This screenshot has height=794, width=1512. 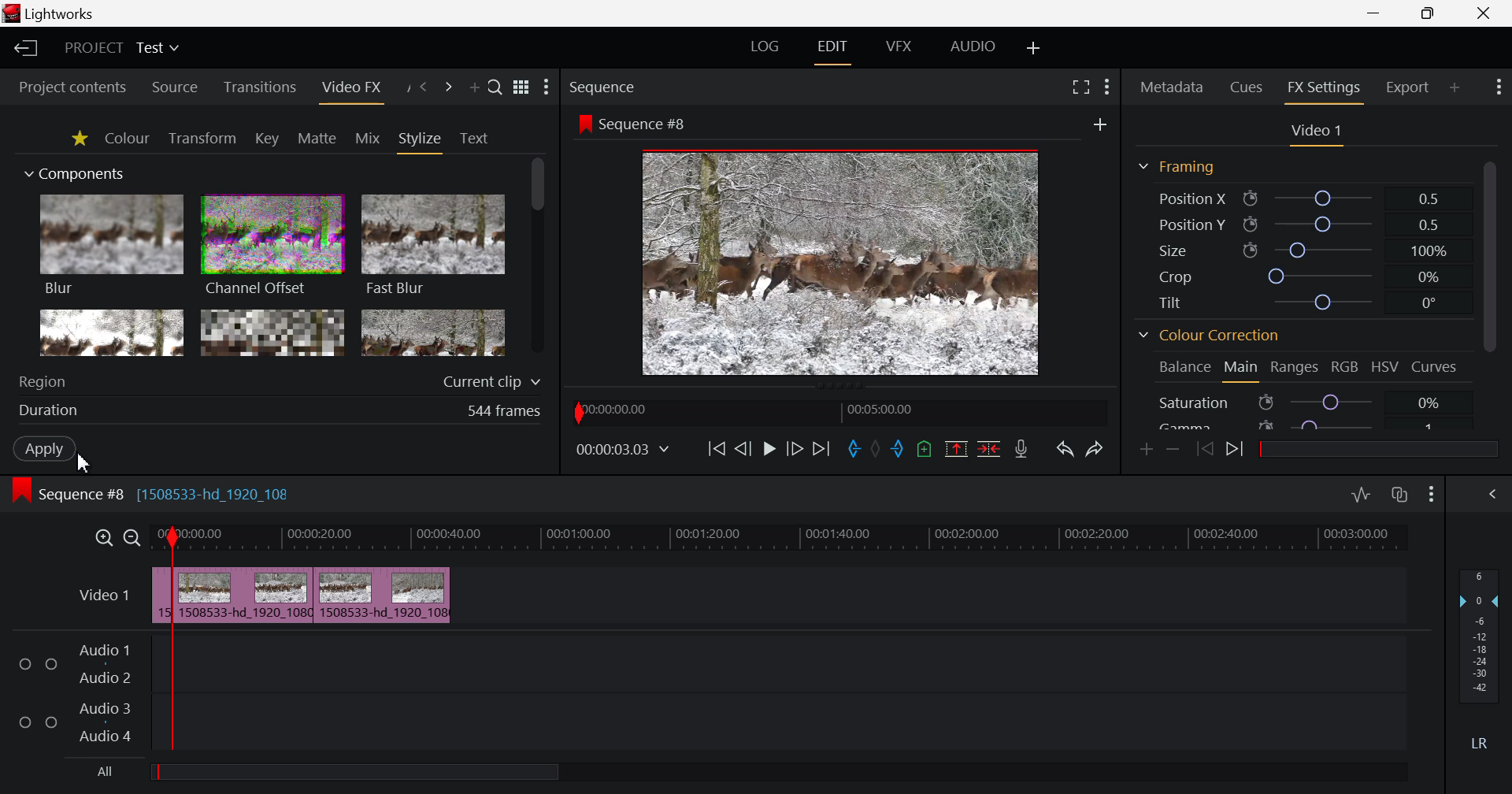 I want to click on Framing Section, so click(x=1176, y=169).